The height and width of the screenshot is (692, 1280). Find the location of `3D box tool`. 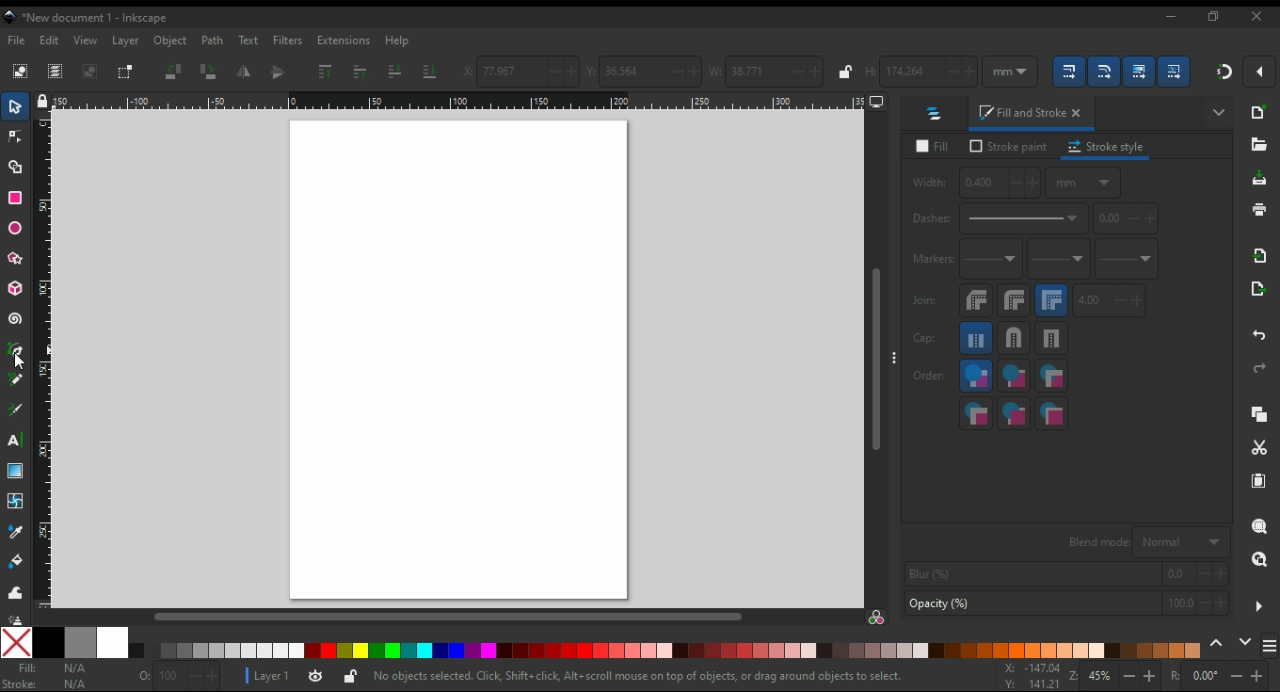

3D box tool is located at coordinates (15, 288).